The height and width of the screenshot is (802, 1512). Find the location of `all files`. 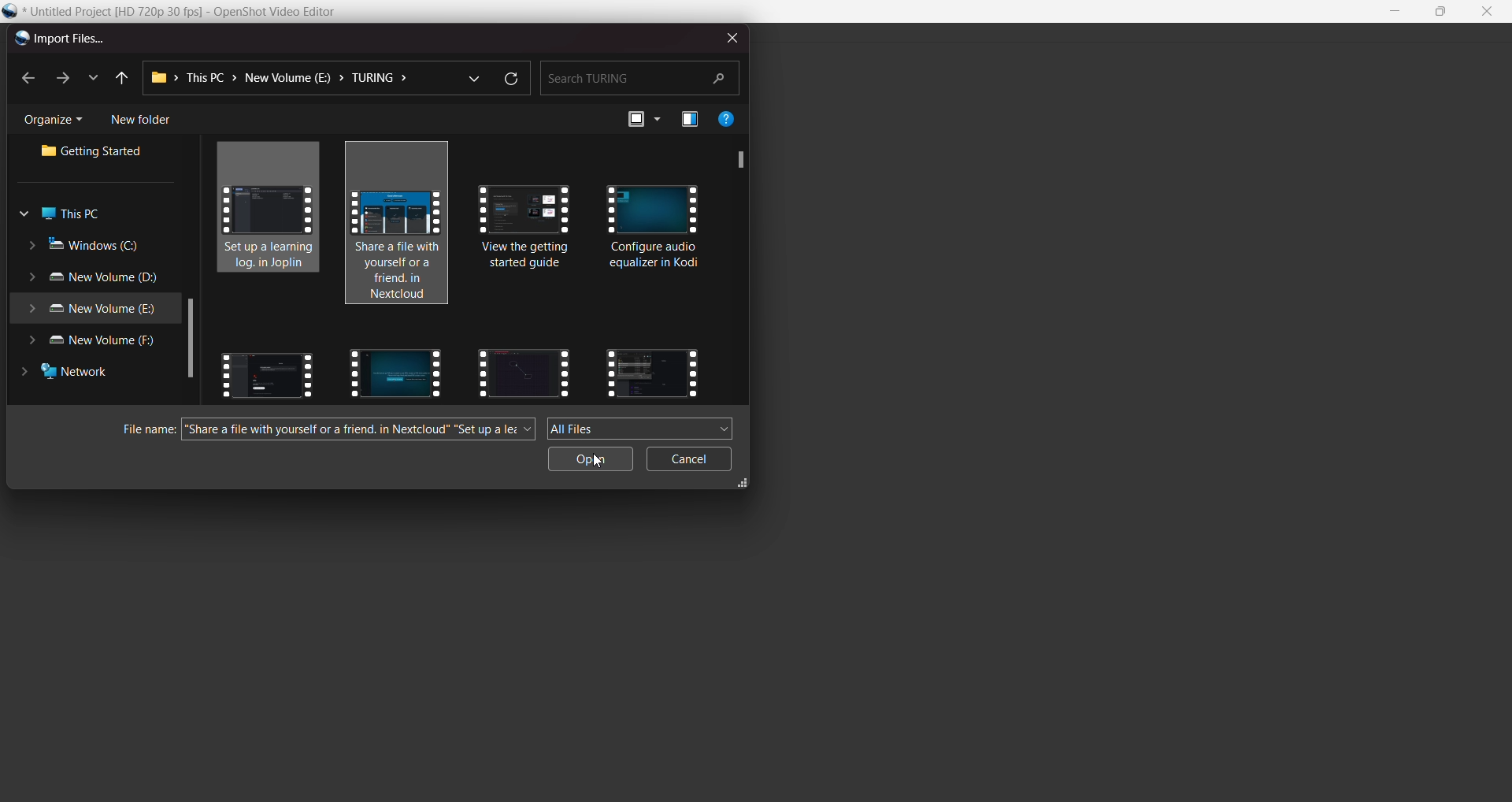

all files is located at coordinates (641, 428).